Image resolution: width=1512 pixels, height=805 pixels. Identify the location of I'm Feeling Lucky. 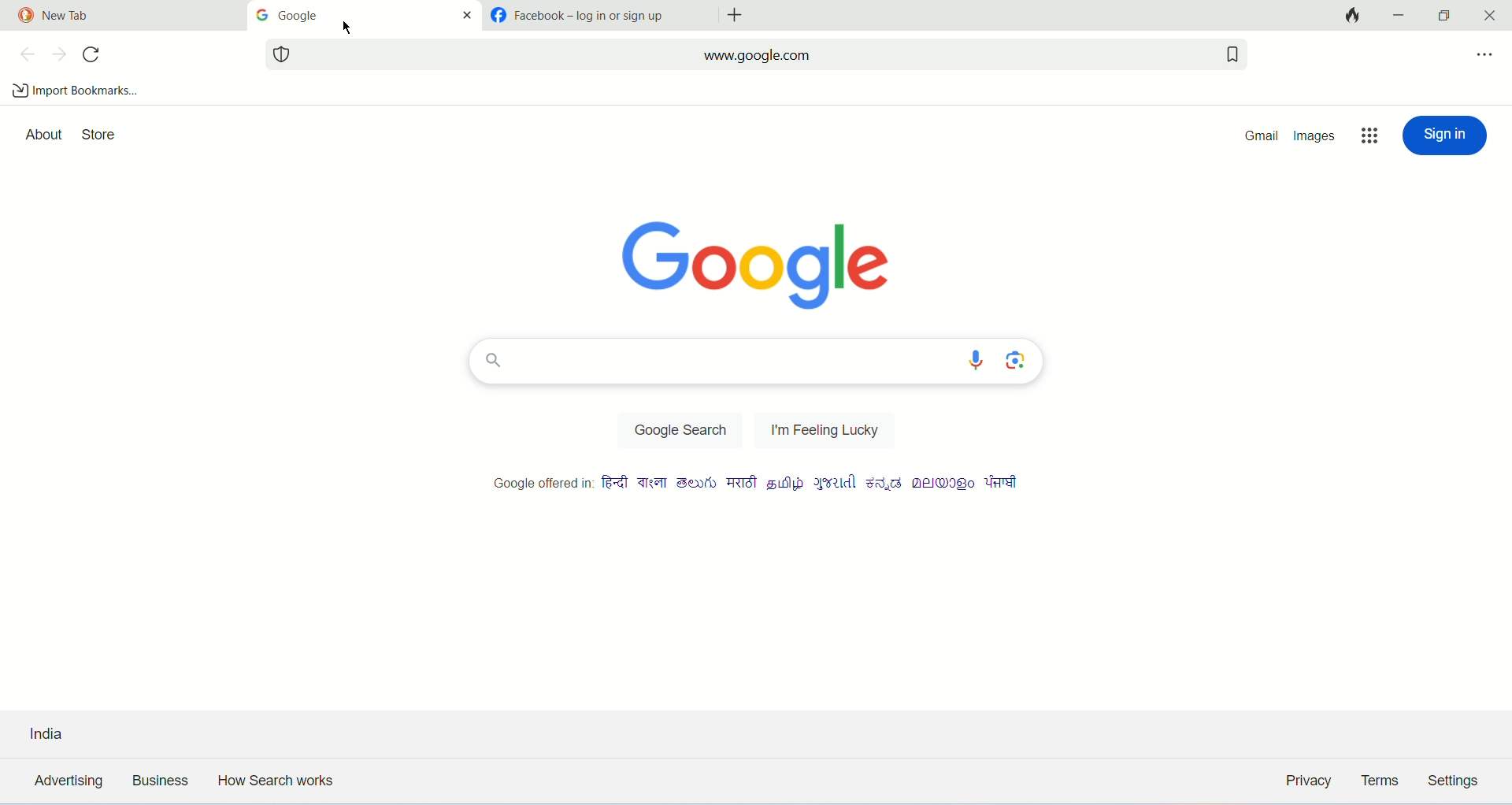
(821, 432).